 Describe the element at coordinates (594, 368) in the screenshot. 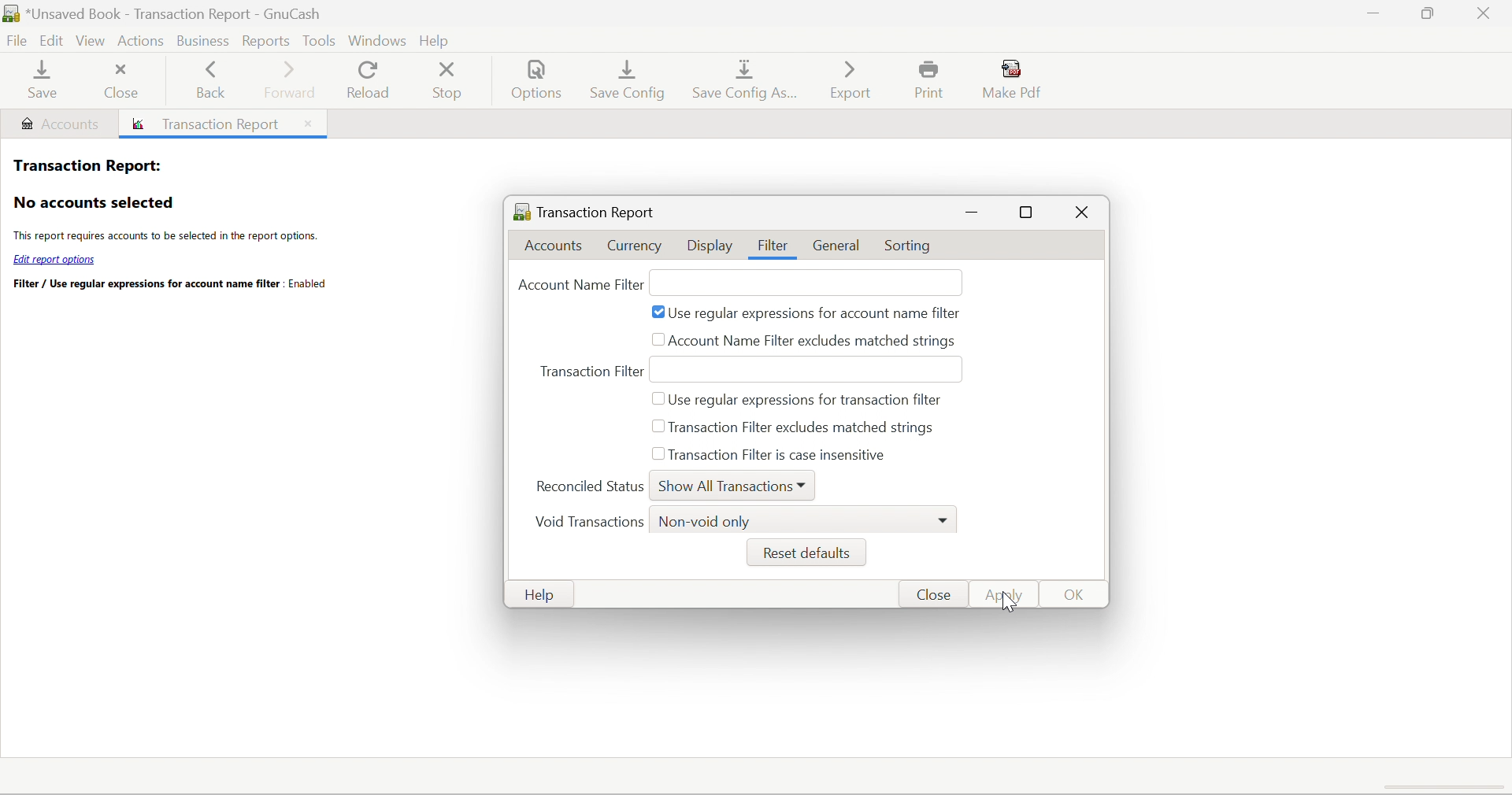

I see `Transaction Filter` at that location.